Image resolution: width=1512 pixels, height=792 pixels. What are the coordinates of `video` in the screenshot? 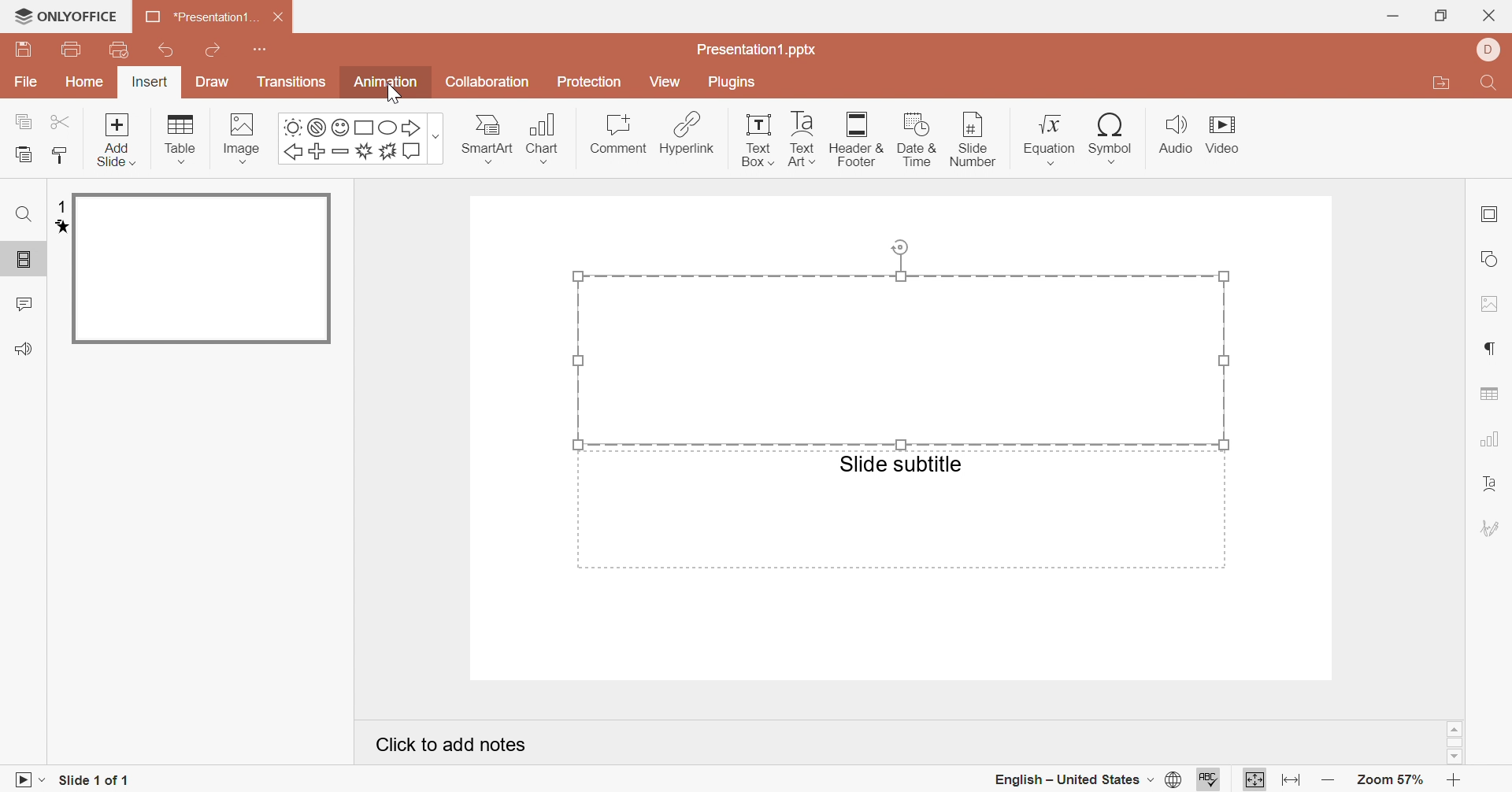 It's located at (1224, 134).